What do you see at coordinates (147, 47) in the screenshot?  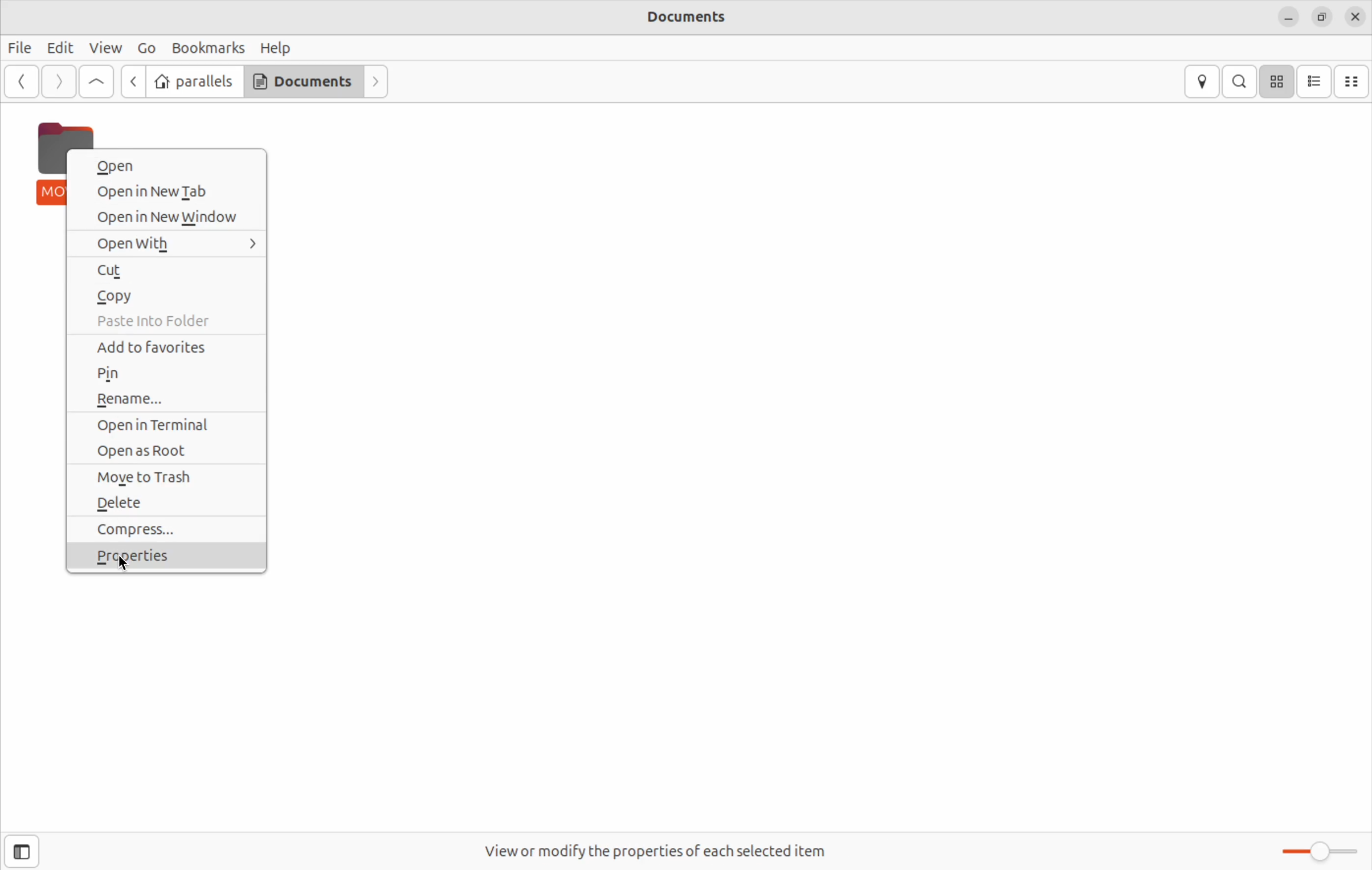 I see `GO` at bounding box center [147, 47].